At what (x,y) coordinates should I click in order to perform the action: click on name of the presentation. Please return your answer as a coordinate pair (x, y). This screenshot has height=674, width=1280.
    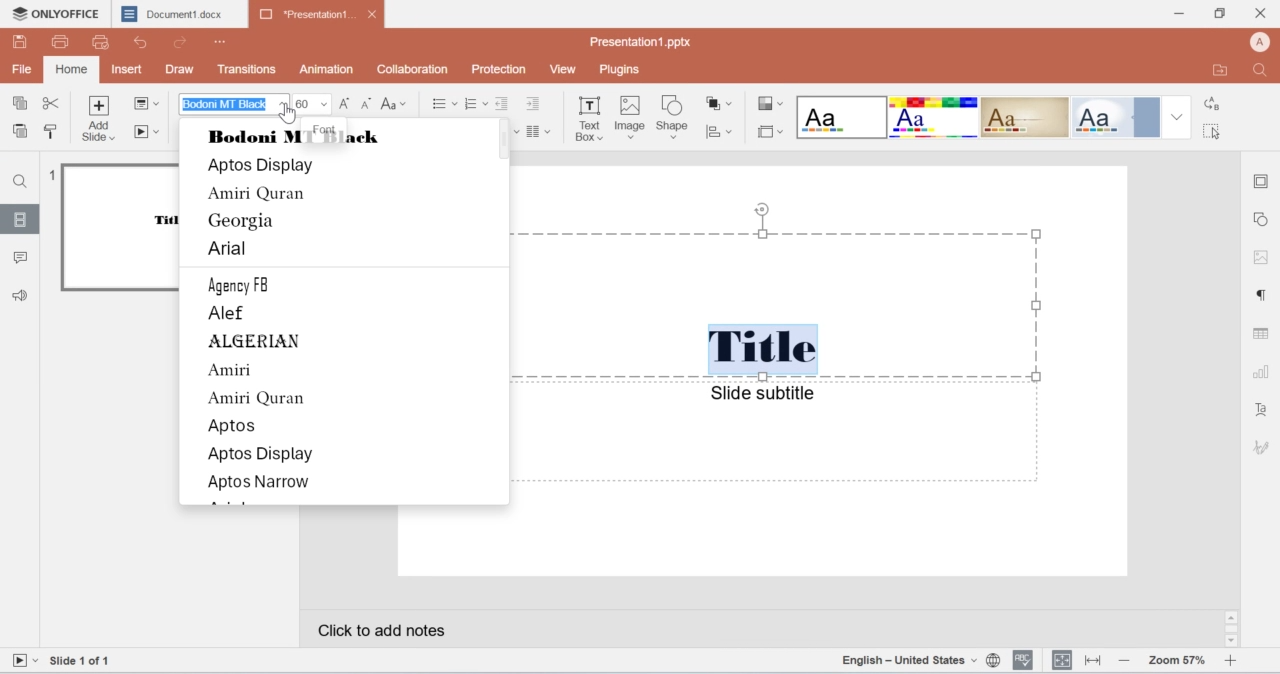
    Looking at the image, I should click on (638, 43).